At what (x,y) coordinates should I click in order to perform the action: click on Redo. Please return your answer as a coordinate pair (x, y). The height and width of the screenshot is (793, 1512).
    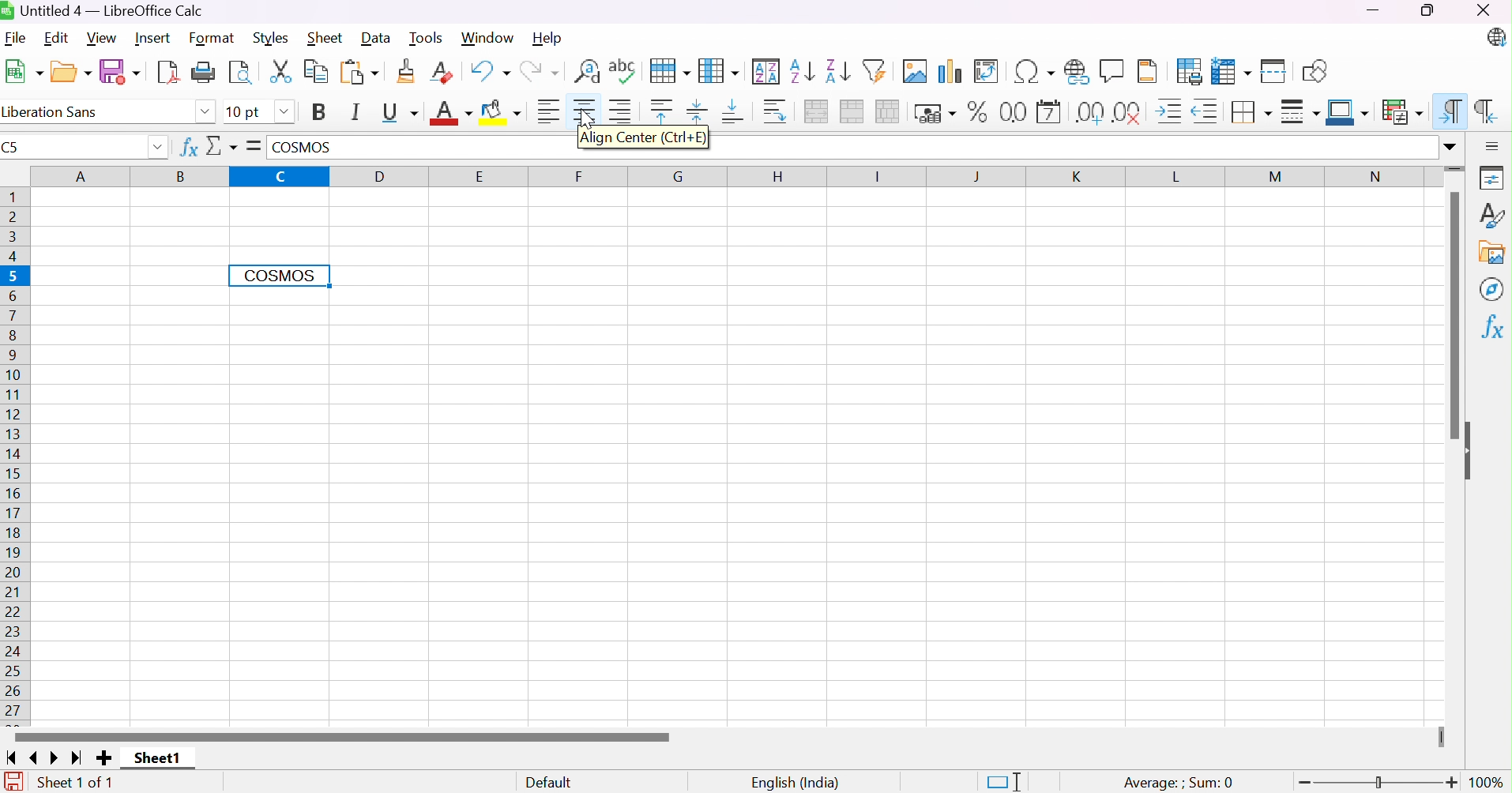
    Looking at the image, I should click on (537, 73).